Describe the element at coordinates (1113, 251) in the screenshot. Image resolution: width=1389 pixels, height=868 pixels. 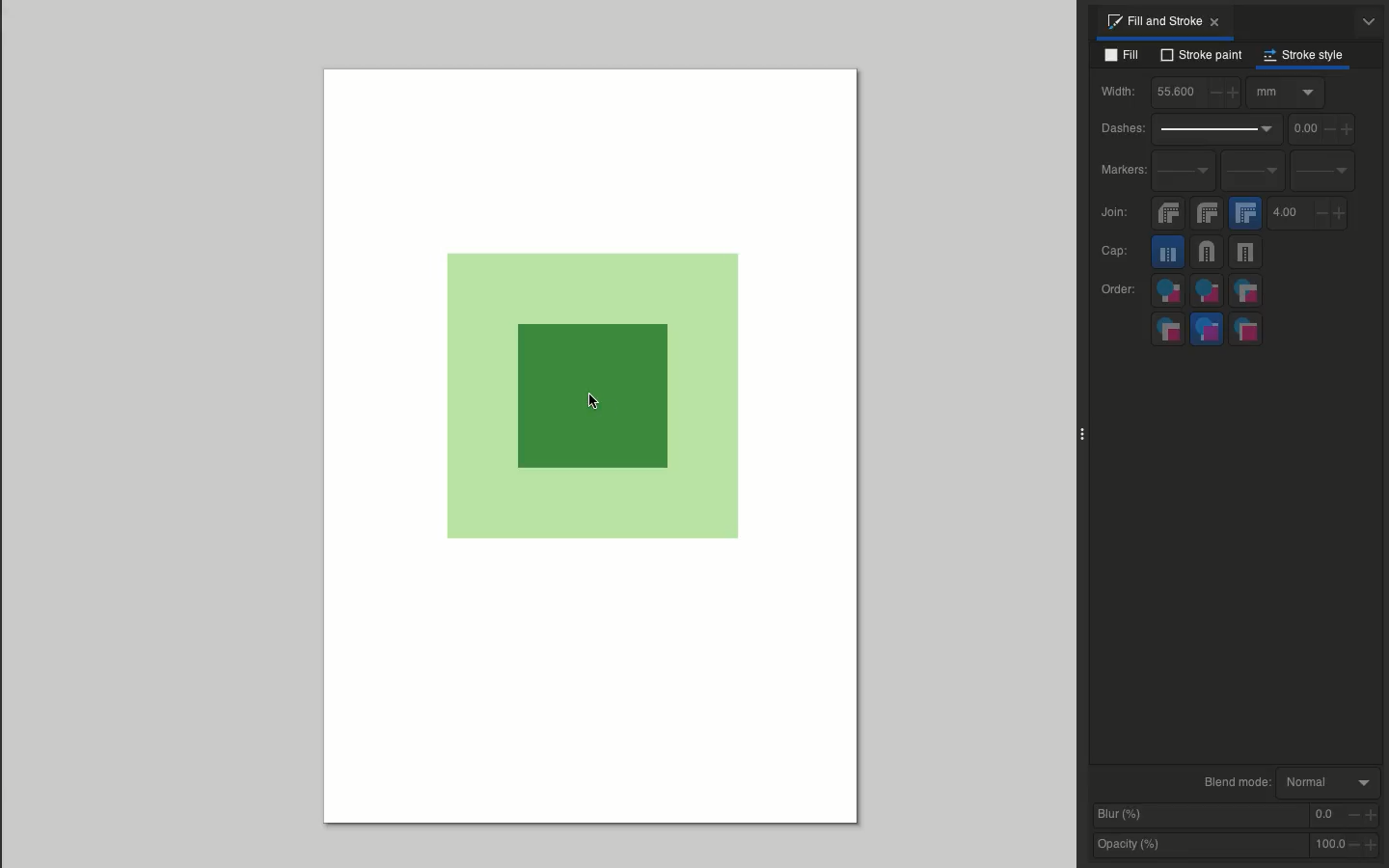
I see `Cap` at that location.